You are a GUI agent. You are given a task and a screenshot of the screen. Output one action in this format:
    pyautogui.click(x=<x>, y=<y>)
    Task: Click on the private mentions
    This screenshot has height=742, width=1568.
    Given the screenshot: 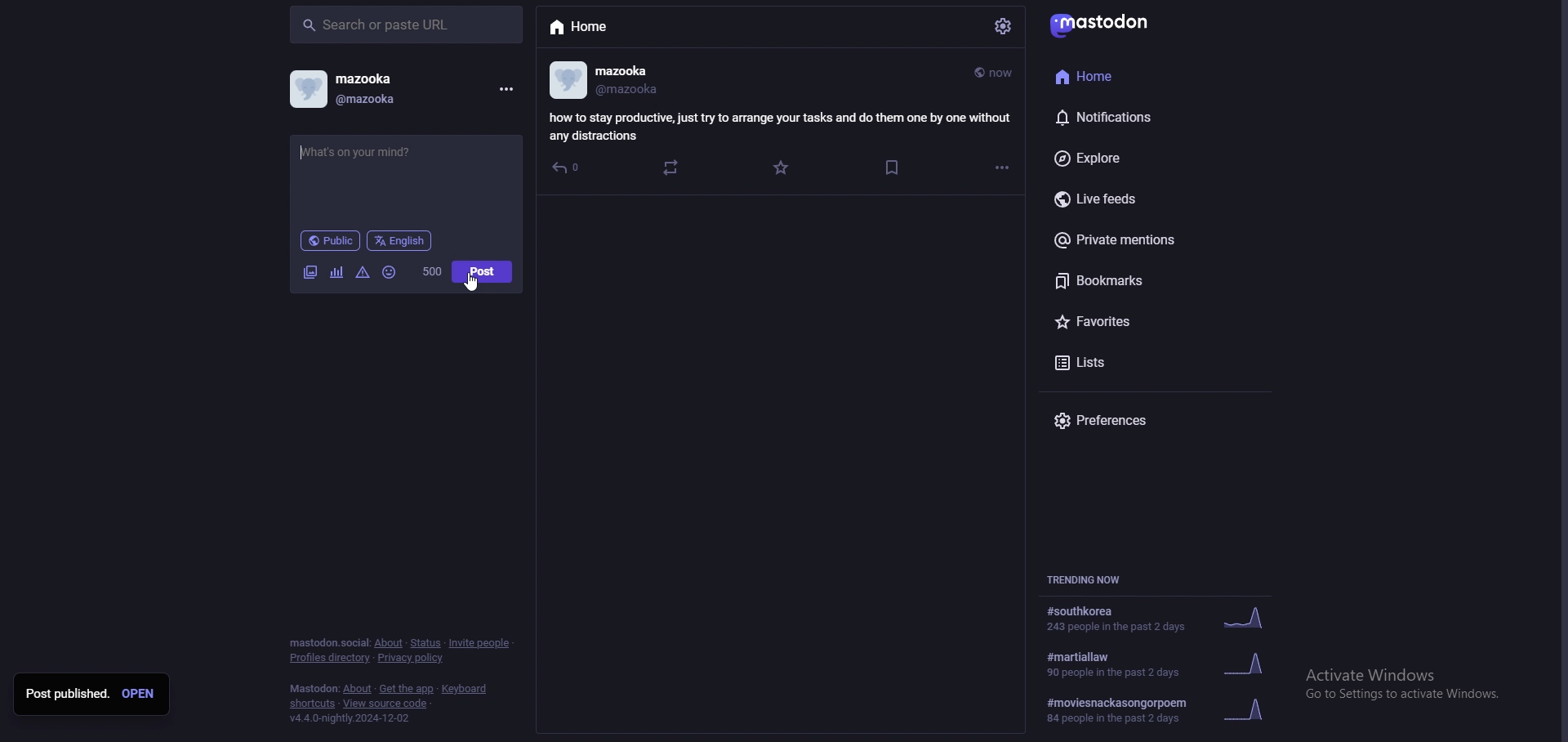 What is the action you would take?
    pyautogui.click(x=1138, y=240)
    